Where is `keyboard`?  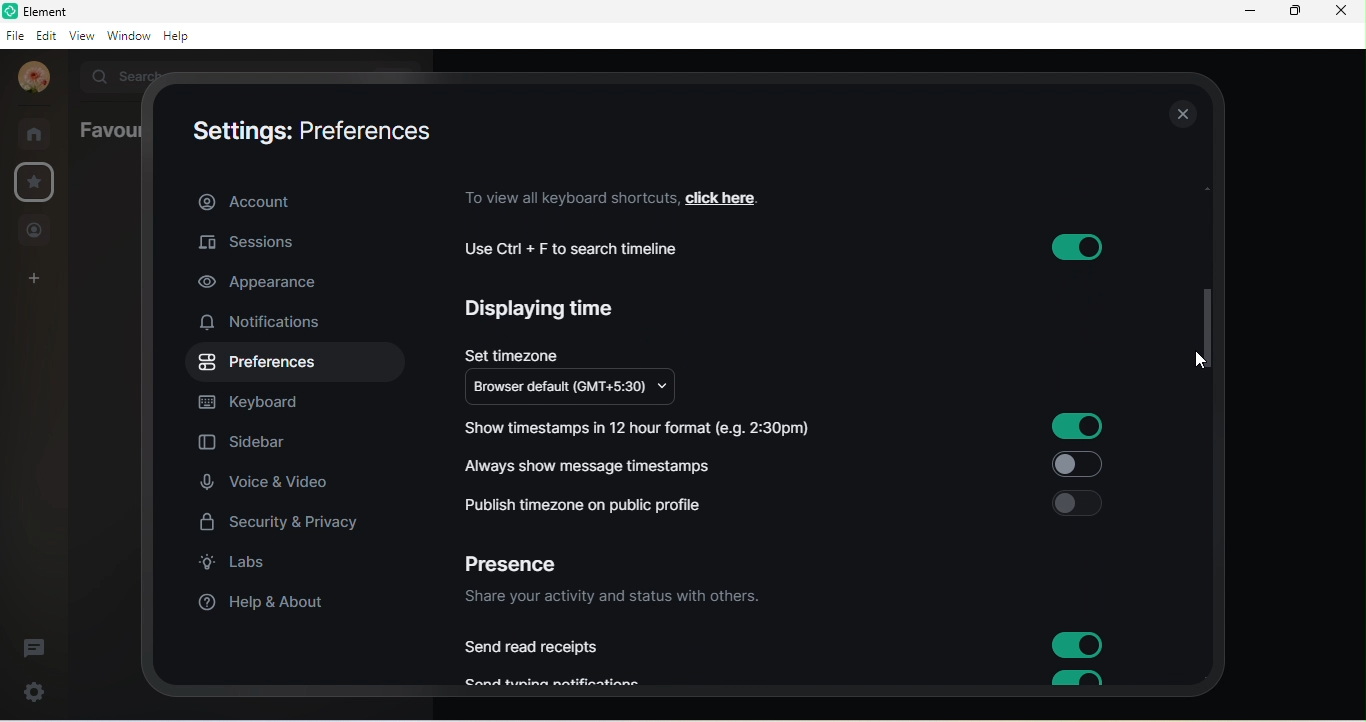 keyboard is located at coordinates (264, 402).